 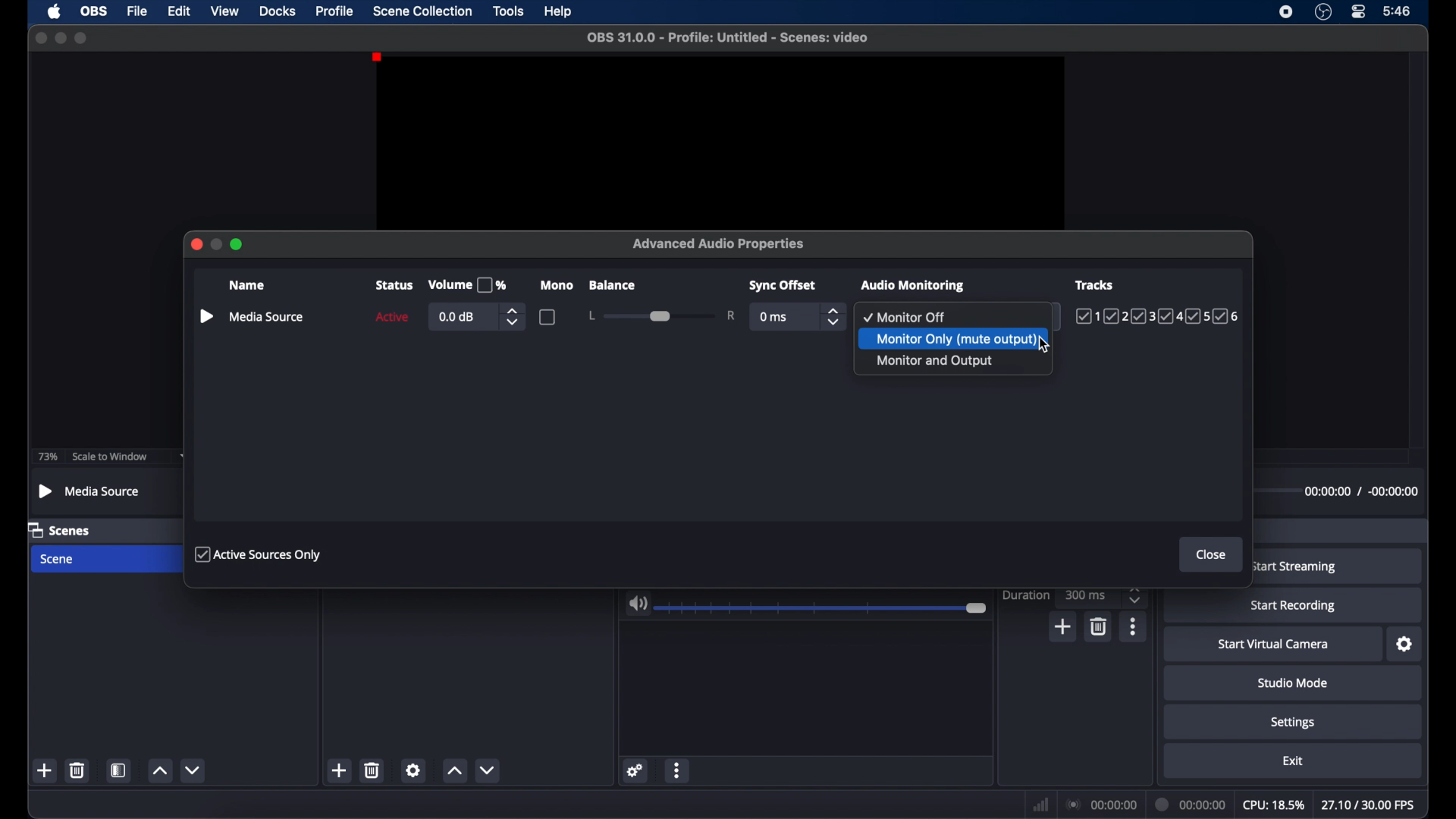 I want to click on volume, so click(x=467, y=285).